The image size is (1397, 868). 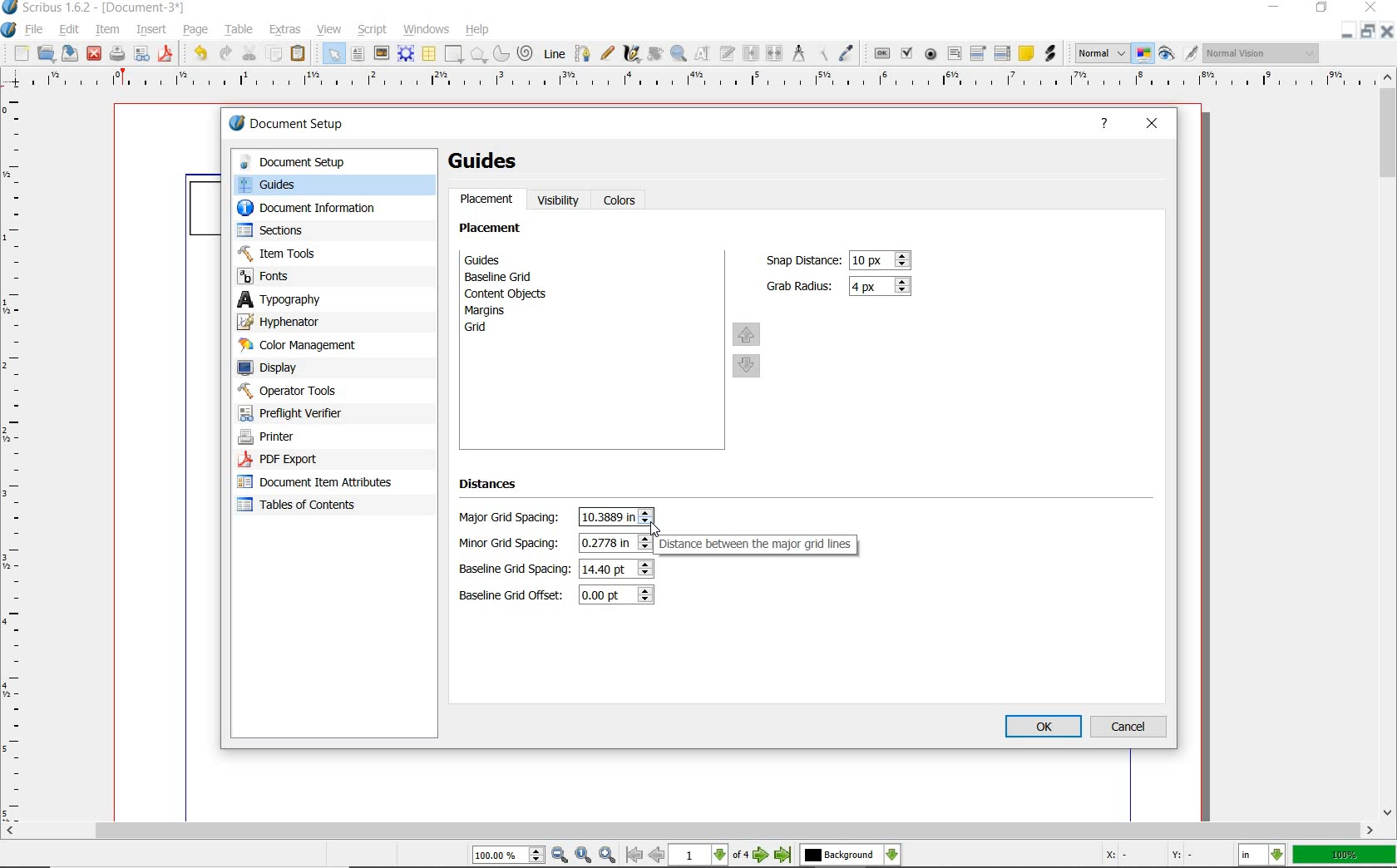 What do you see at coordinates (751, 53) in the screenshot?
I see `link text frames` at bounding box center [751, 53].